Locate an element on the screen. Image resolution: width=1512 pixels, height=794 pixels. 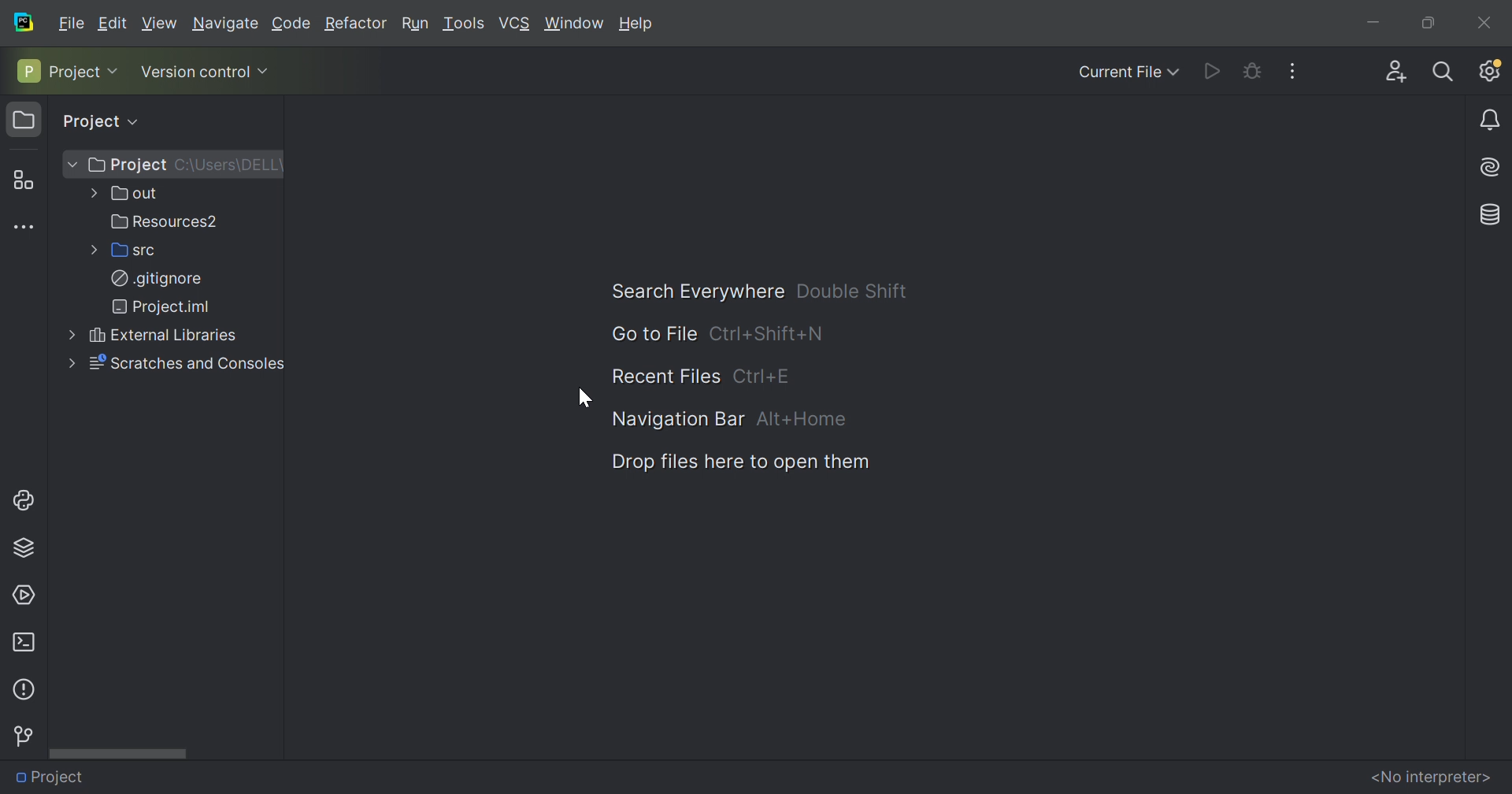
Scratches and Consoles is located at coordinates (183, 362).